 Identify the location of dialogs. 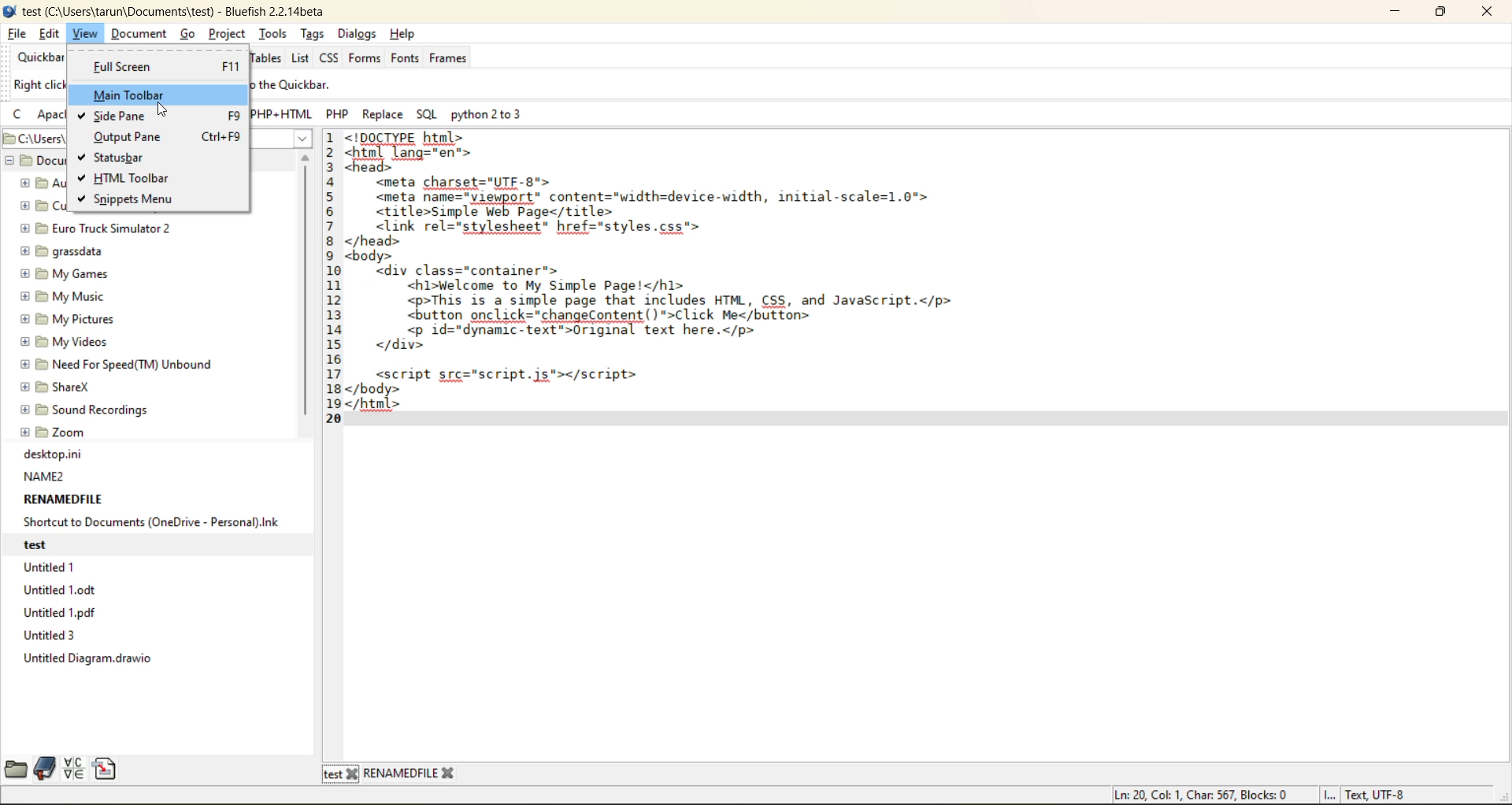
(358, 34).